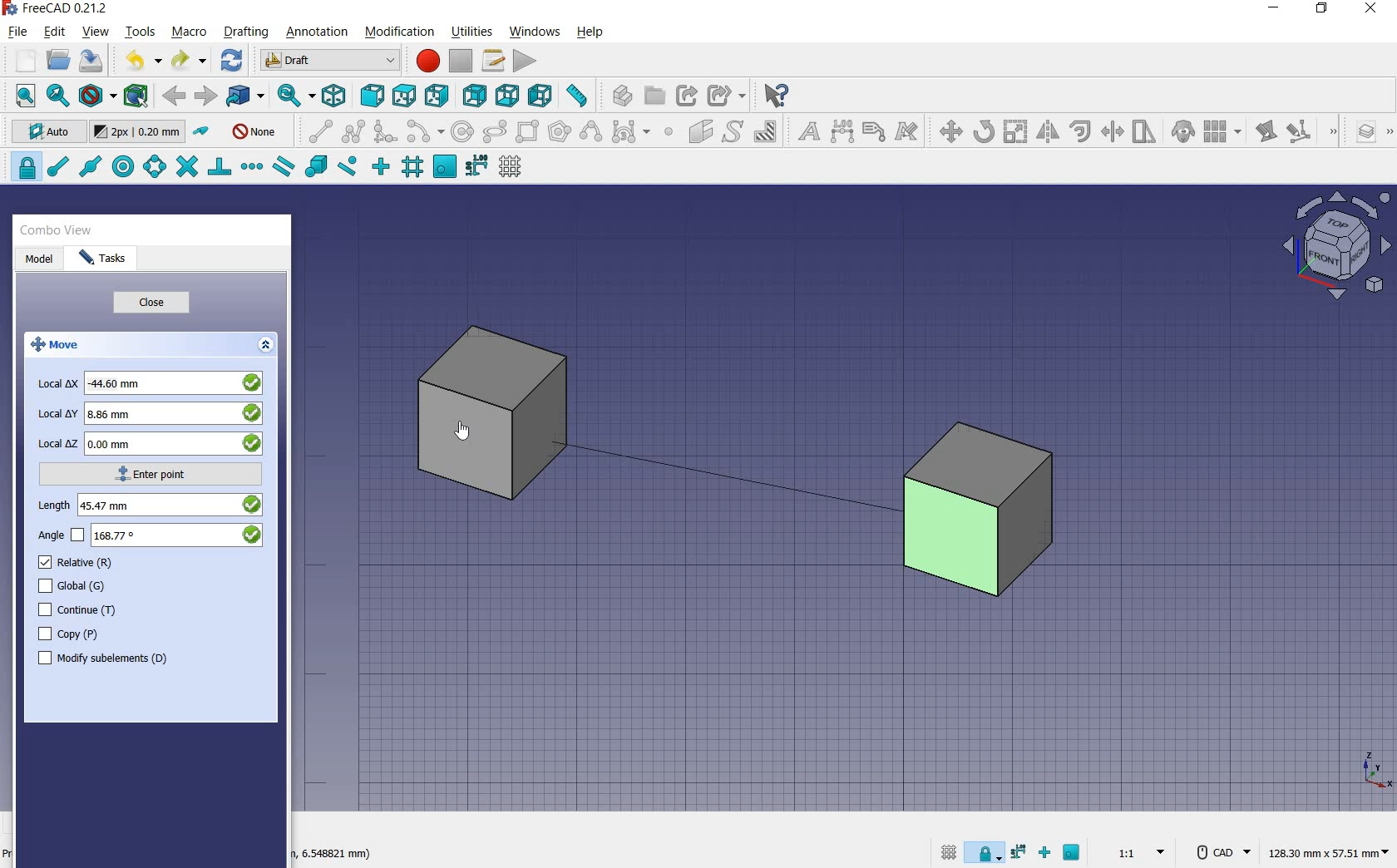 The image size is (1397, 868). What do you see at coordinates (57, 95) in the screenshot?
I see `fit selection` at bounding box center [57, 95].